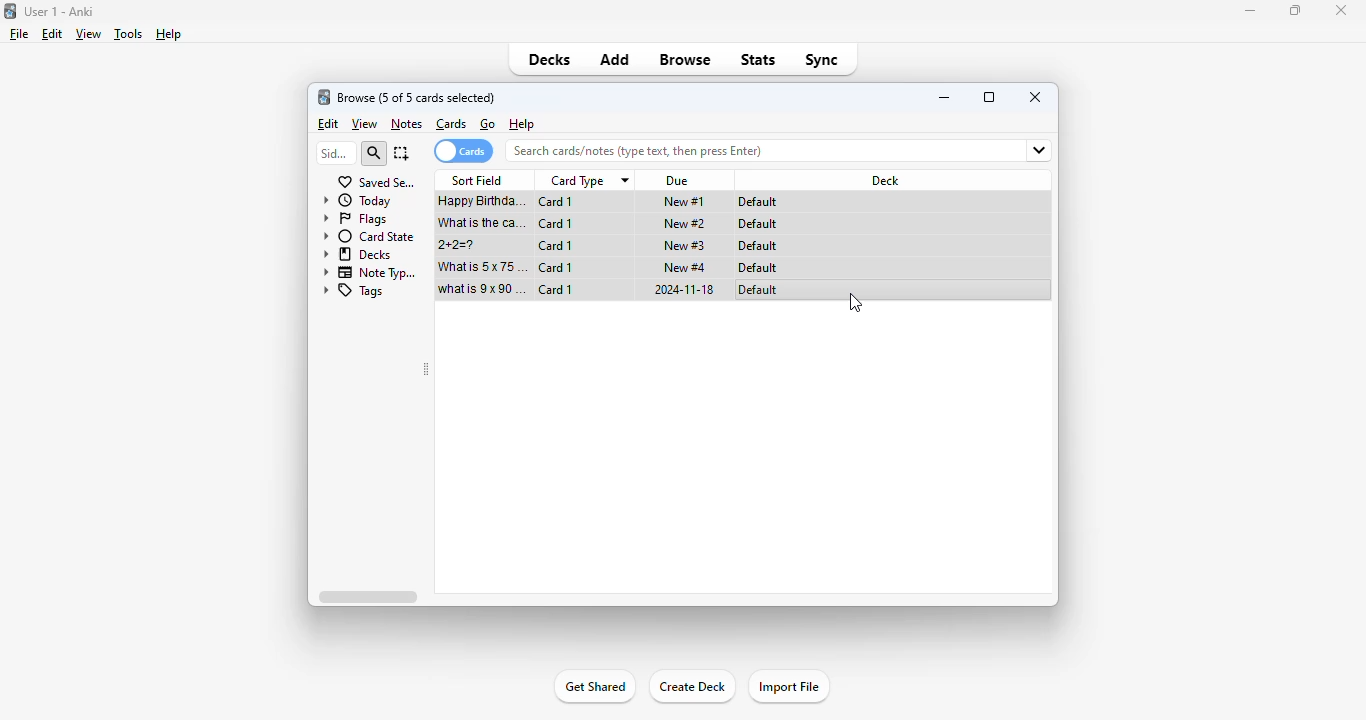 Image resolution: width=1366 pixels, height=720 pixels. I want to click on file, so click(19, 34).